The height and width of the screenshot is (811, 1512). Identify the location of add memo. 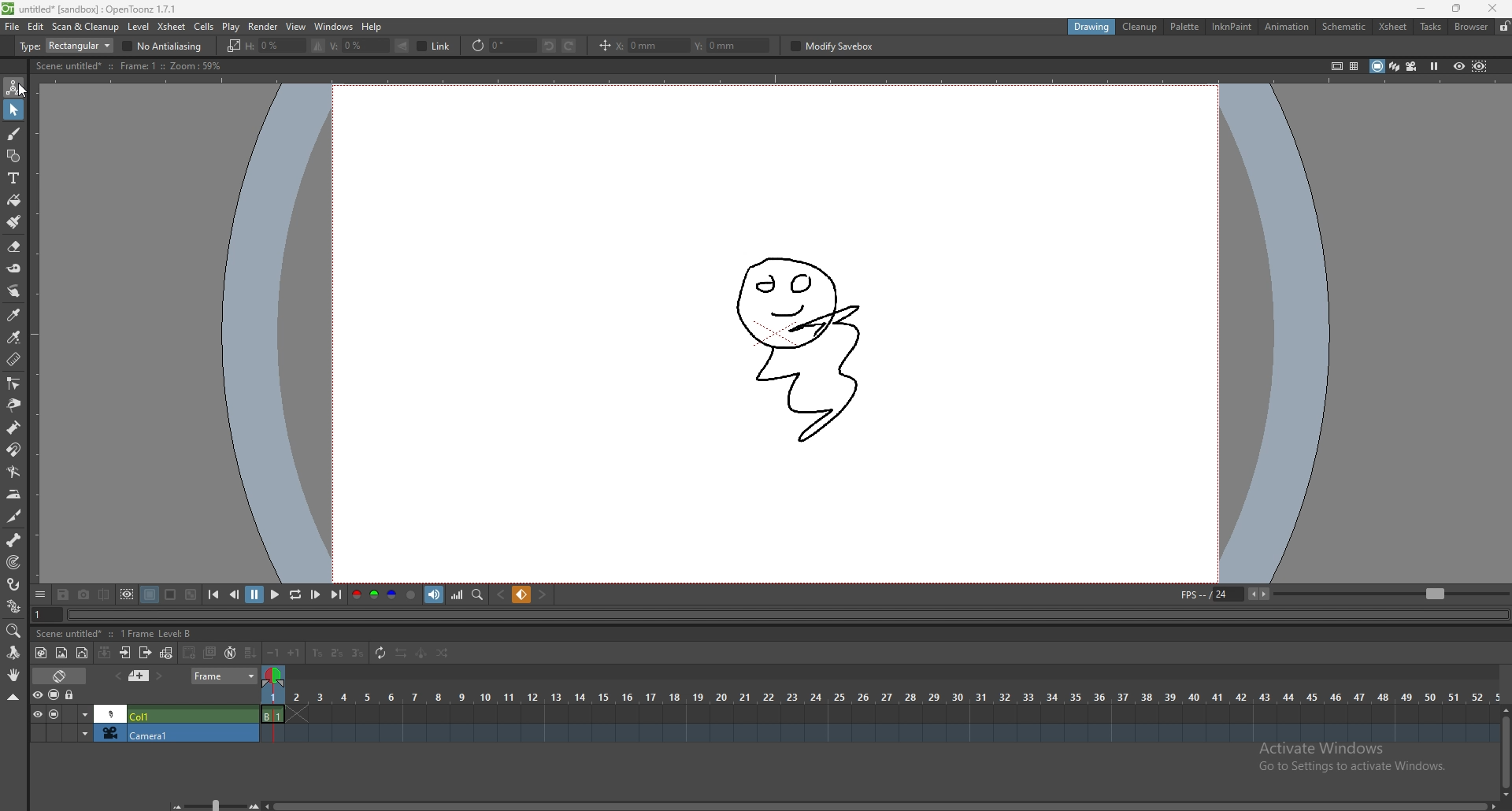
(139, 676).